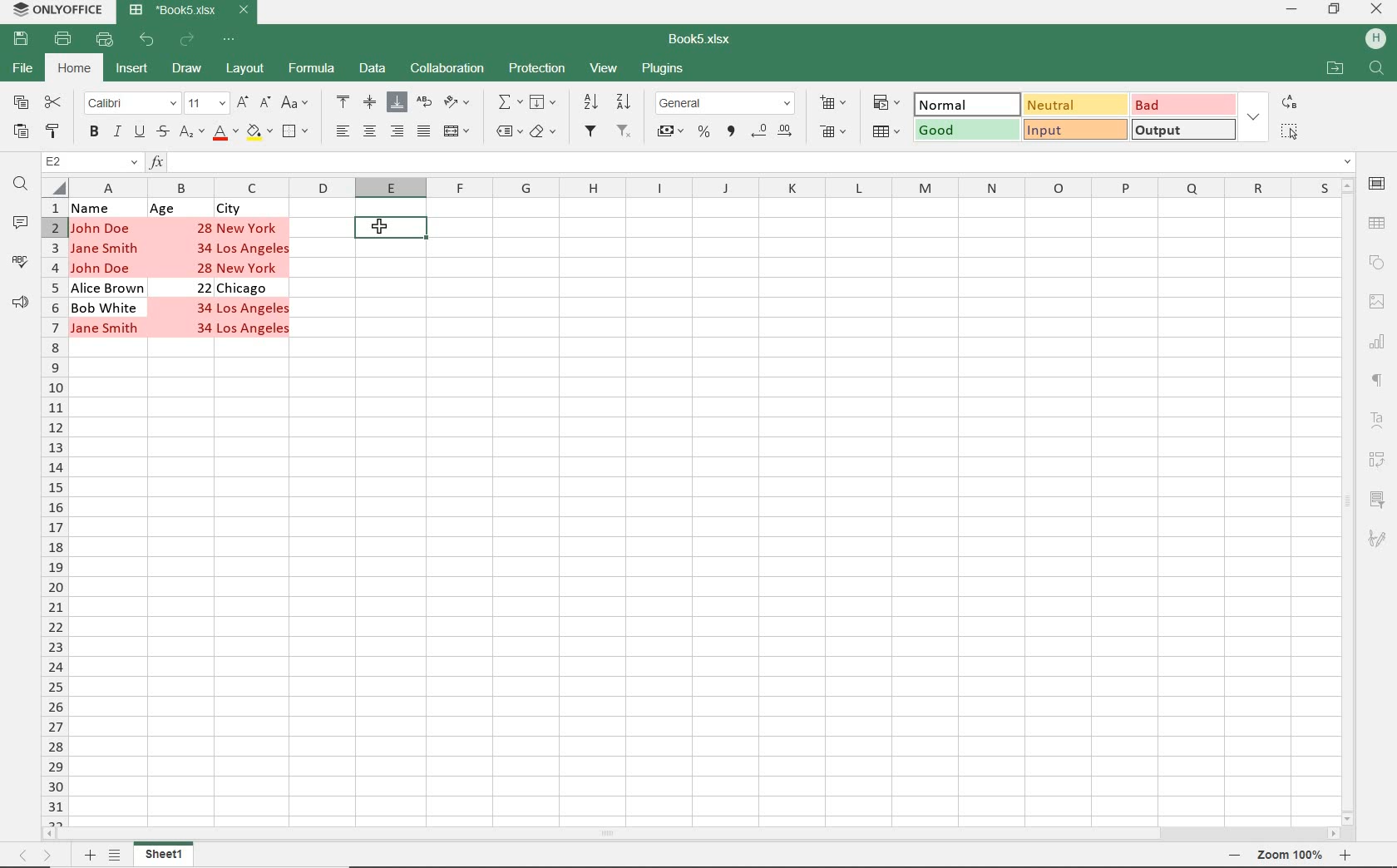  What do you see at coordinates (700, 36) in the screenshot?
I see `DOCUMENT NAME` at bounding box center [700, 36].